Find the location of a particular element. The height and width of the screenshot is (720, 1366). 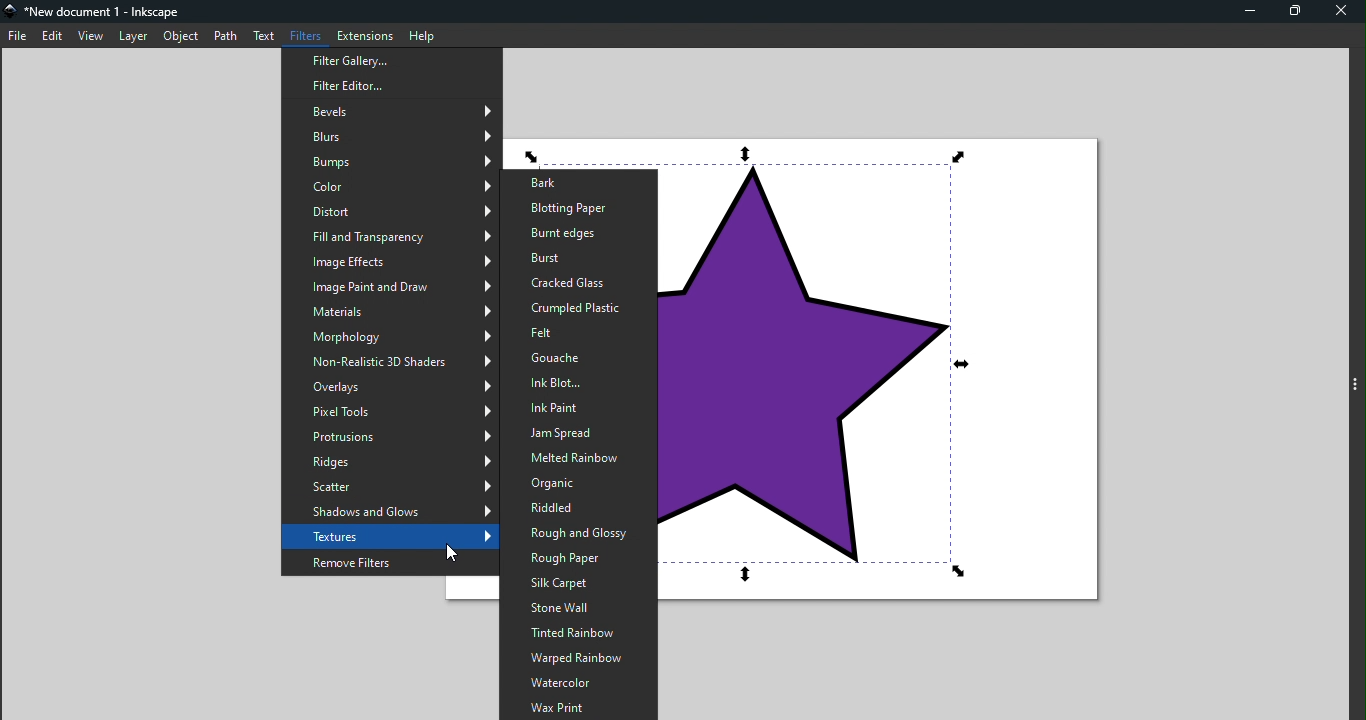

Scatter is located at coordinates (389, 486).